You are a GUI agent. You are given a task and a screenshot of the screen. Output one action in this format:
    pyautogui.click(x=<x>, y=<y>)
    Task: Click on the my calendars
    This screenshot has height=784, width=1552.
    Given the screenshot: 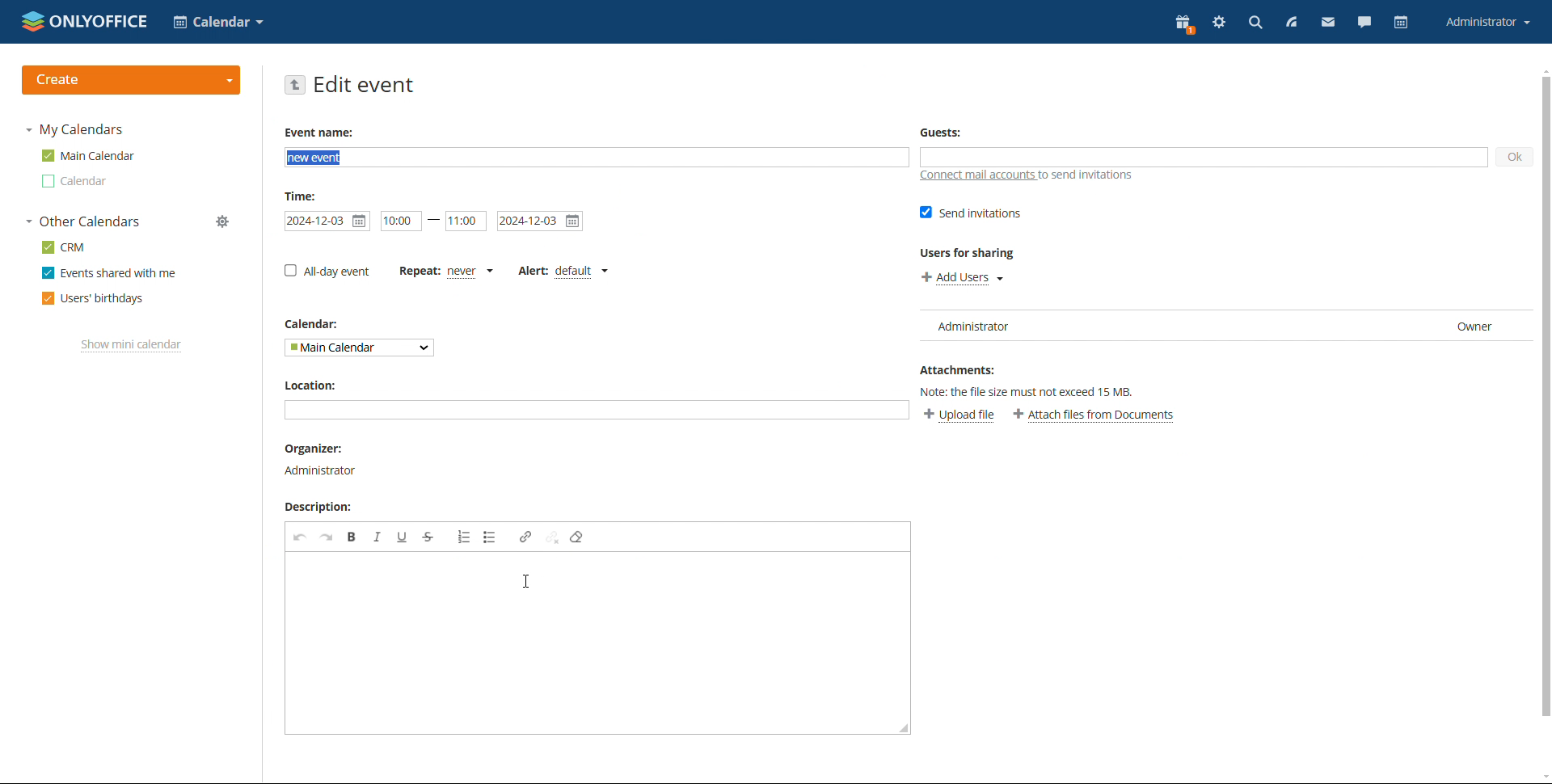 What is the action you would take?
    pyautogui.click(x=77, y=129)
    